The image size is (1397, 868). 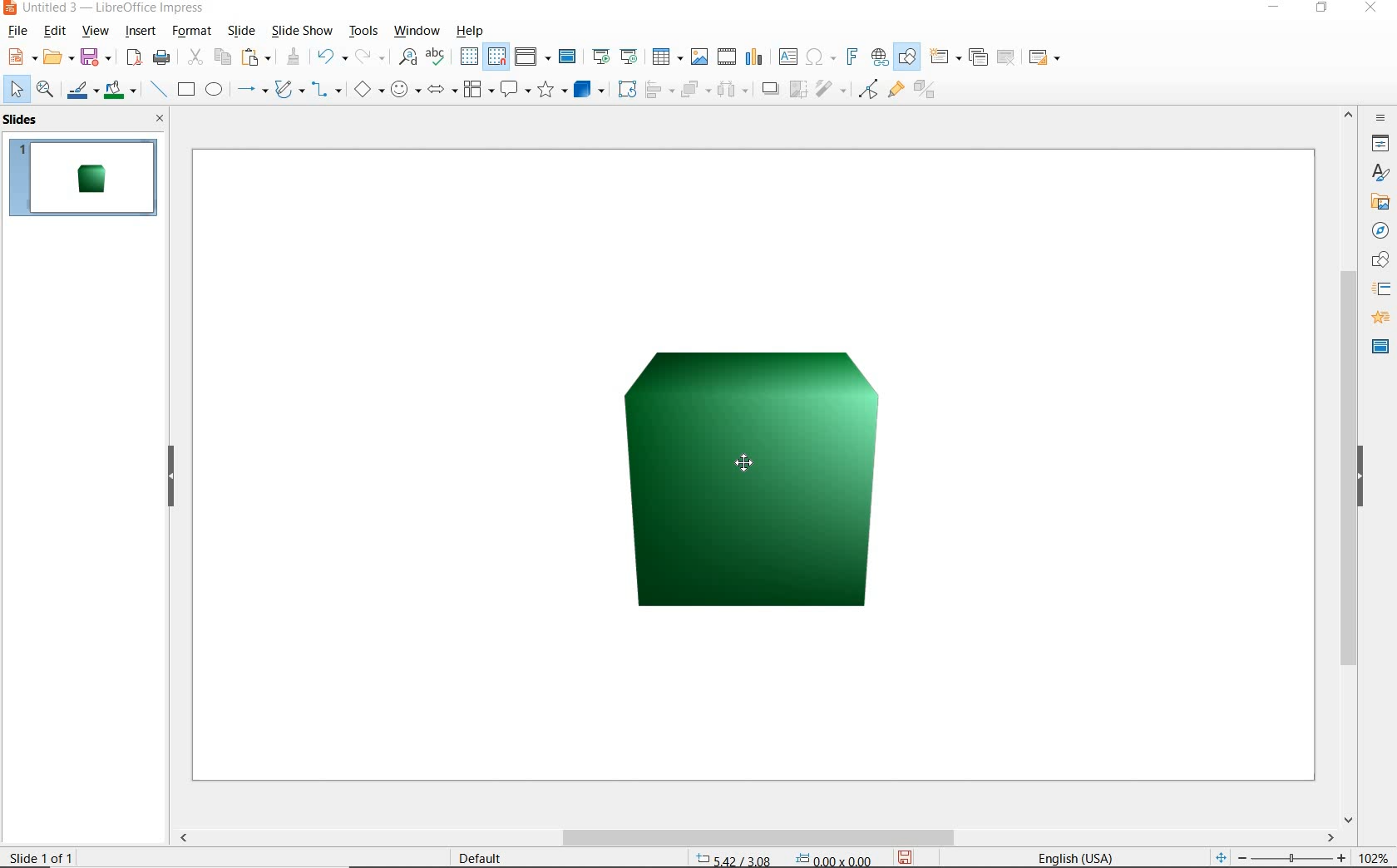 I want to click on CLOSE, so click(x=1373, y=9).